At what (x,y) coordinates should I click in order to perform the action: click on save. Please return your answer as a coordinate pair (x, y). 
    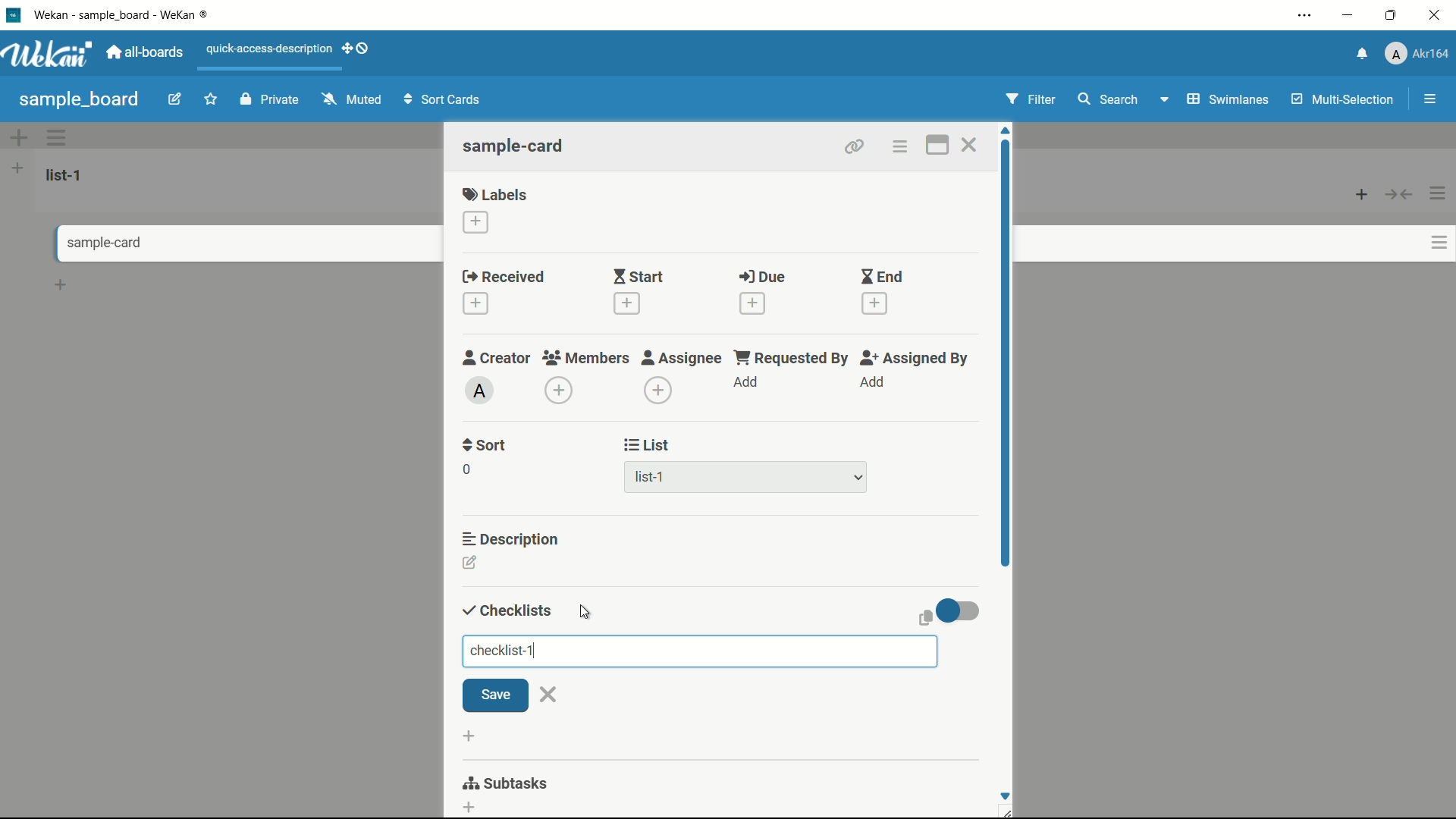
    Looking at the image, I should click on (495, 696).